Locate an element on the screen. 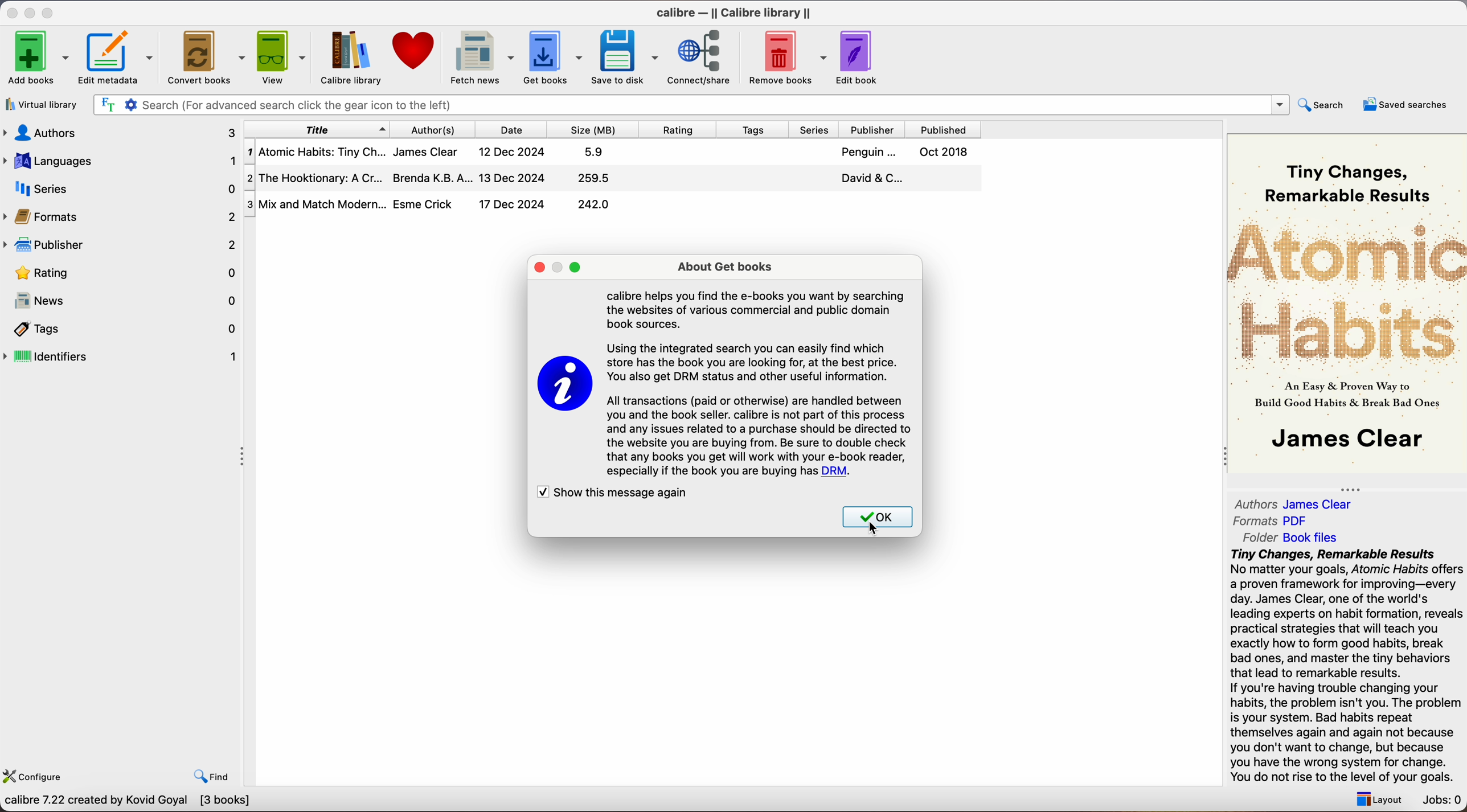 The width and height of the screenshot is (1467, 812). Rating is located at coordinates (678, 131).